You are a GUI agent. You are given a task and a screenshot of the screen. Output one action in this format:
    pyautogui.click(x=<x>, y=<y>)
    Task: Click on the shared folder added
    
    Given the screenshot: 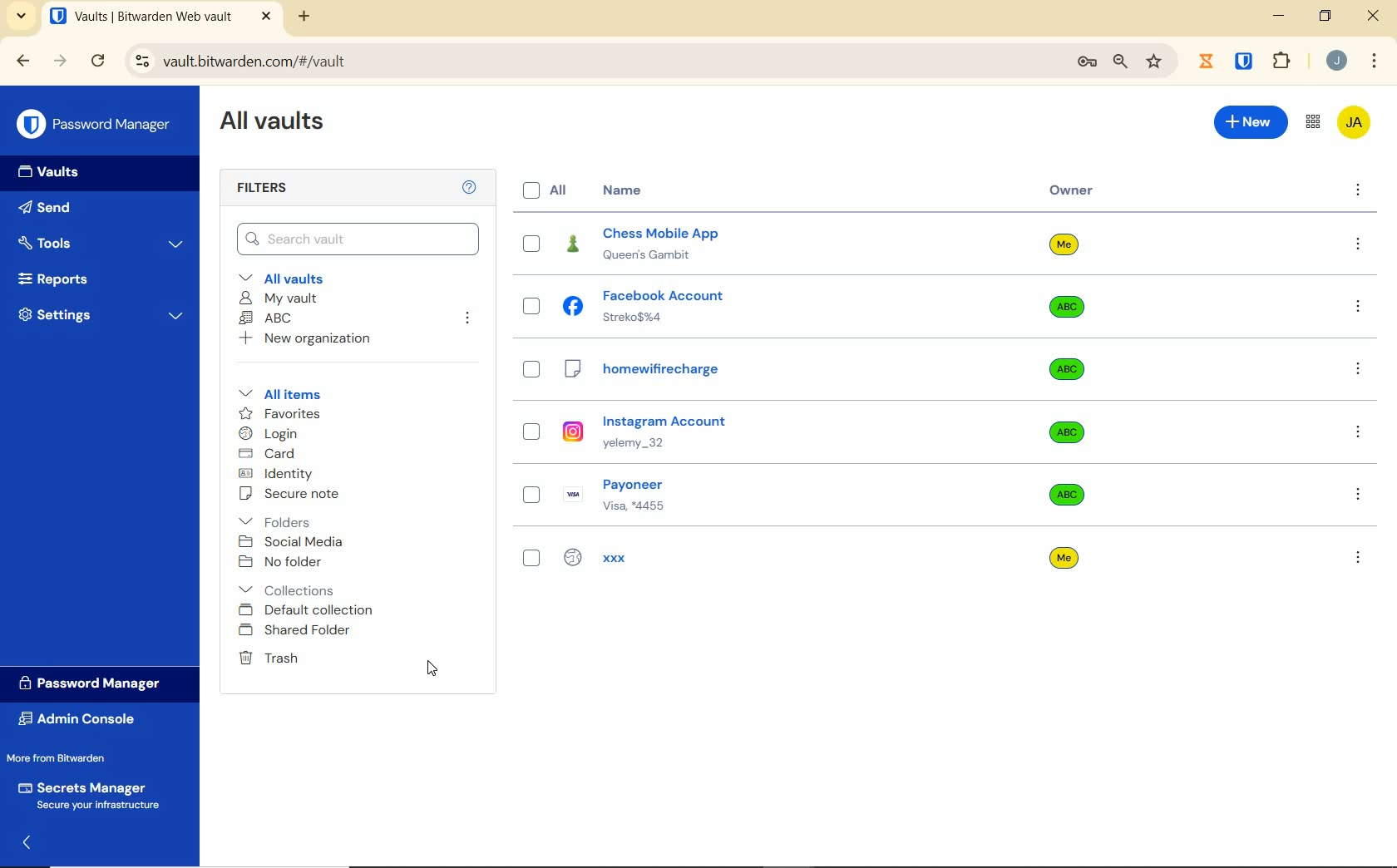 What is the action you would take?
    pyautogui.click(x=301, y=630)
    